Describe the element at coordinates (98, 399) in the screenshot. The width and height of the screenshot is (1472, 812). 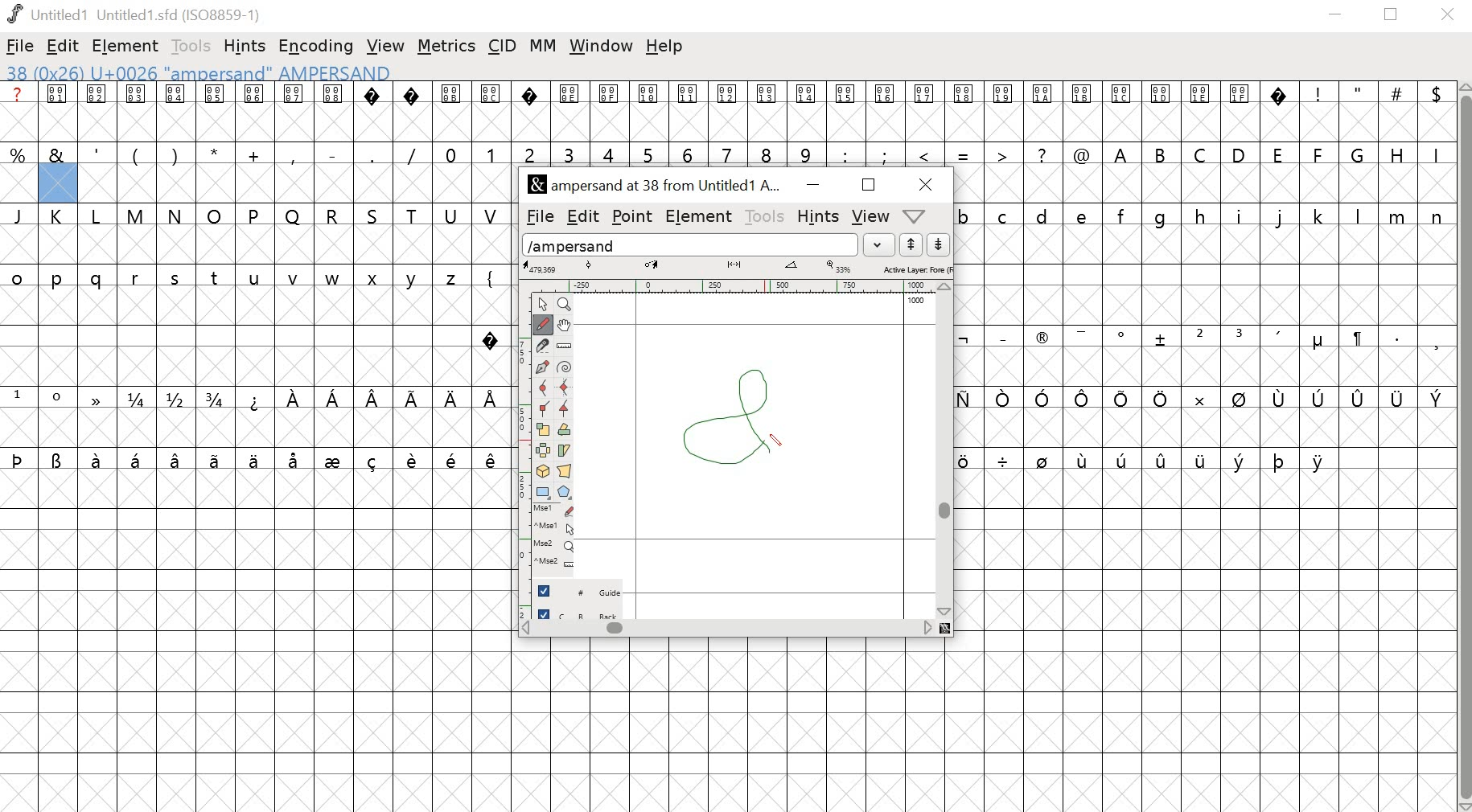
I see `symbol` at that location.